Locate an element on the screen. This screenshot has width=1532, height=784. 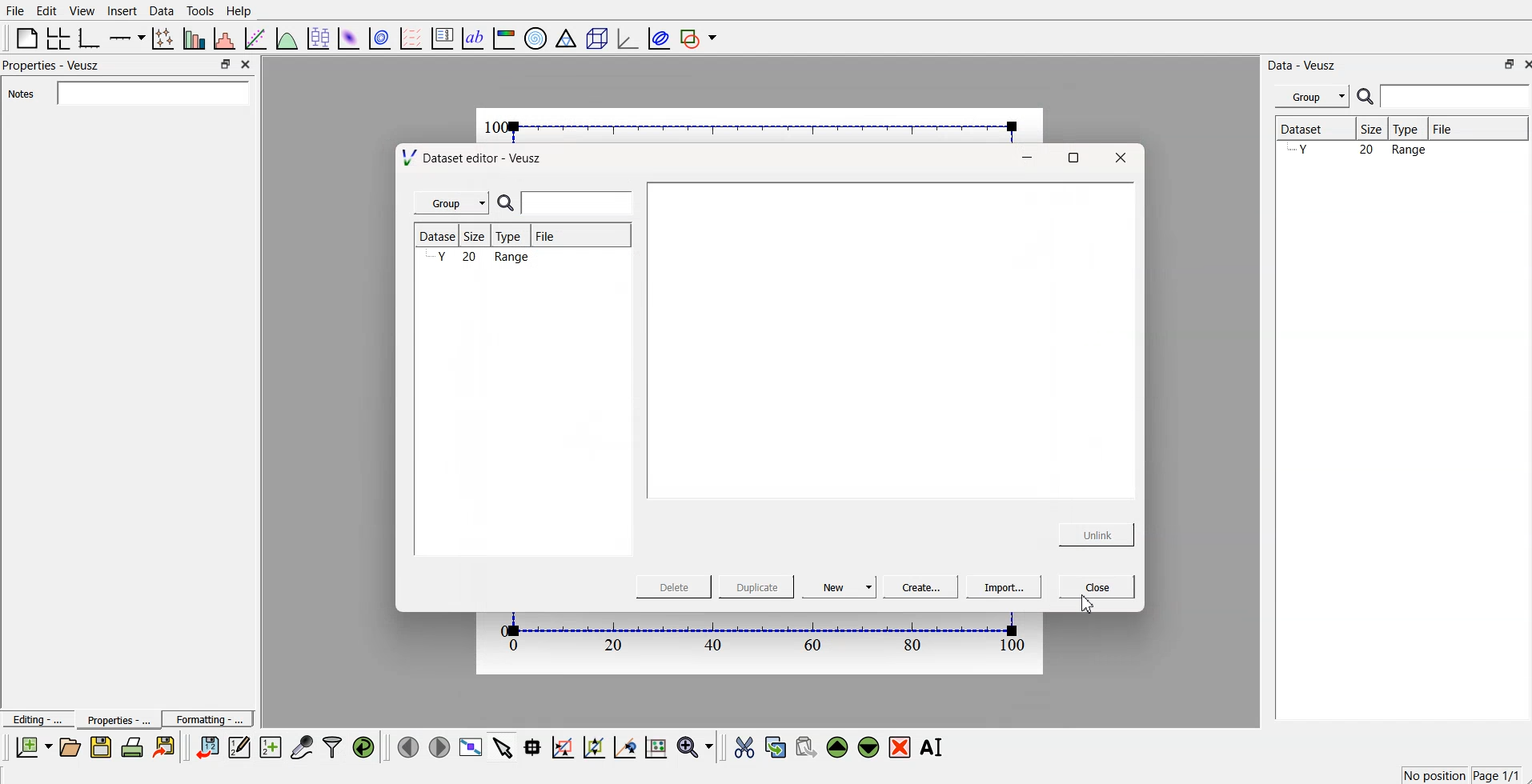
Data is located at coordinates (162, 10).